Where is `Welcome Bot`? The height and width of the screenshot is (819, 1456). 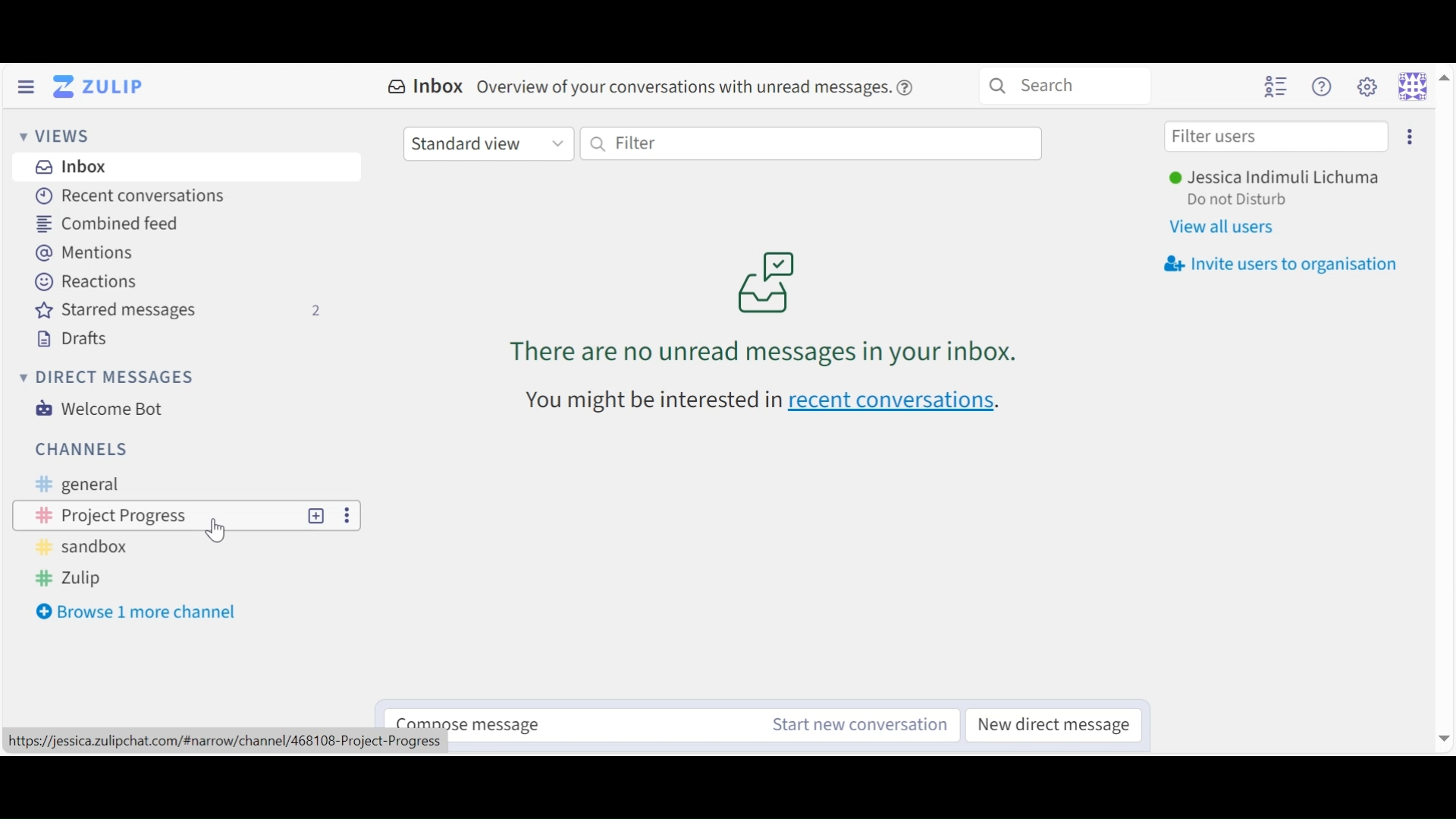 Welcome Bot is located at coordinates (97, 409).